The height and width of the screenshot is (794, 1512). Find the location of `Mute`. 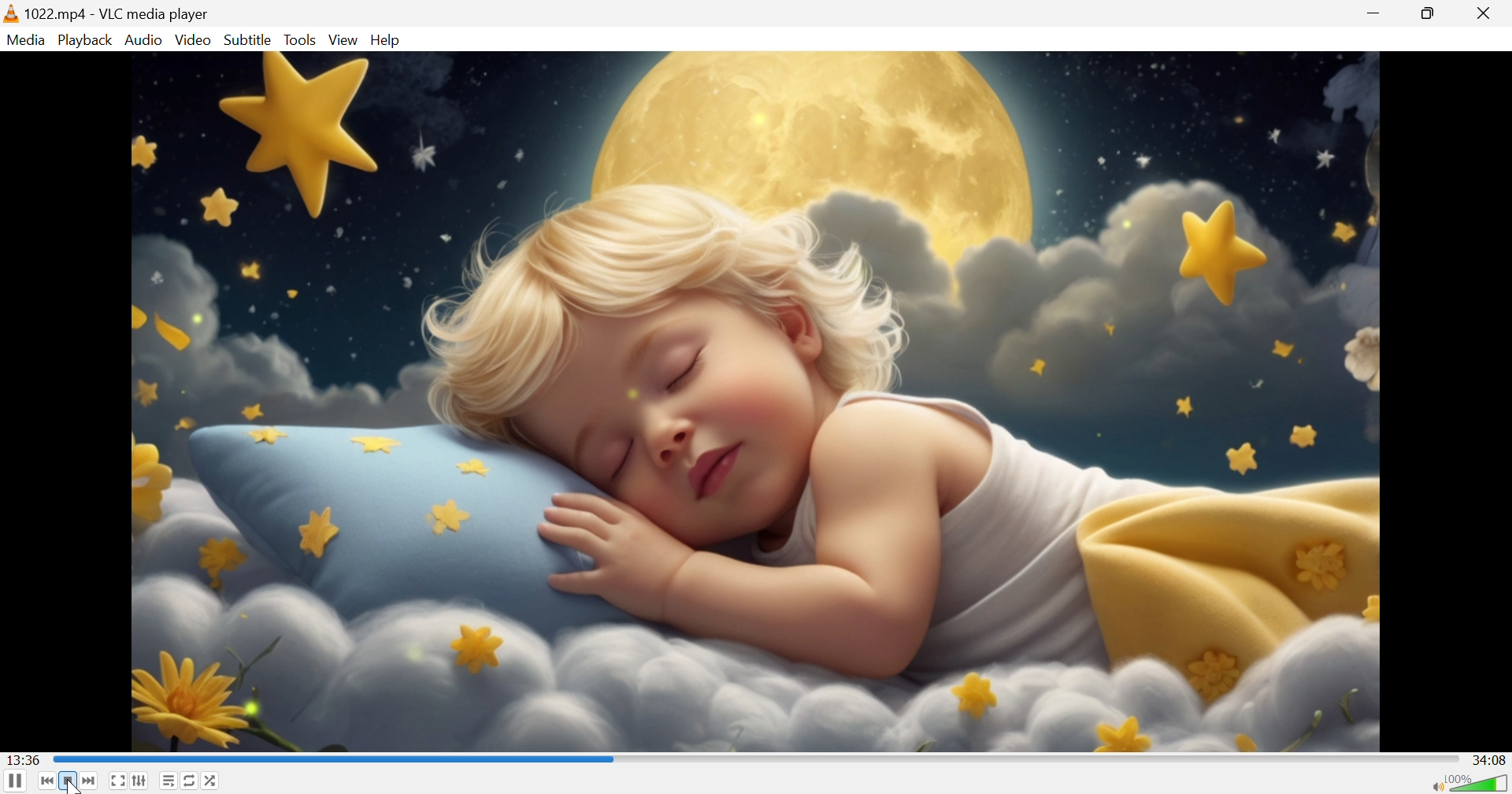

Mute is located at coordinates (1432, 786).